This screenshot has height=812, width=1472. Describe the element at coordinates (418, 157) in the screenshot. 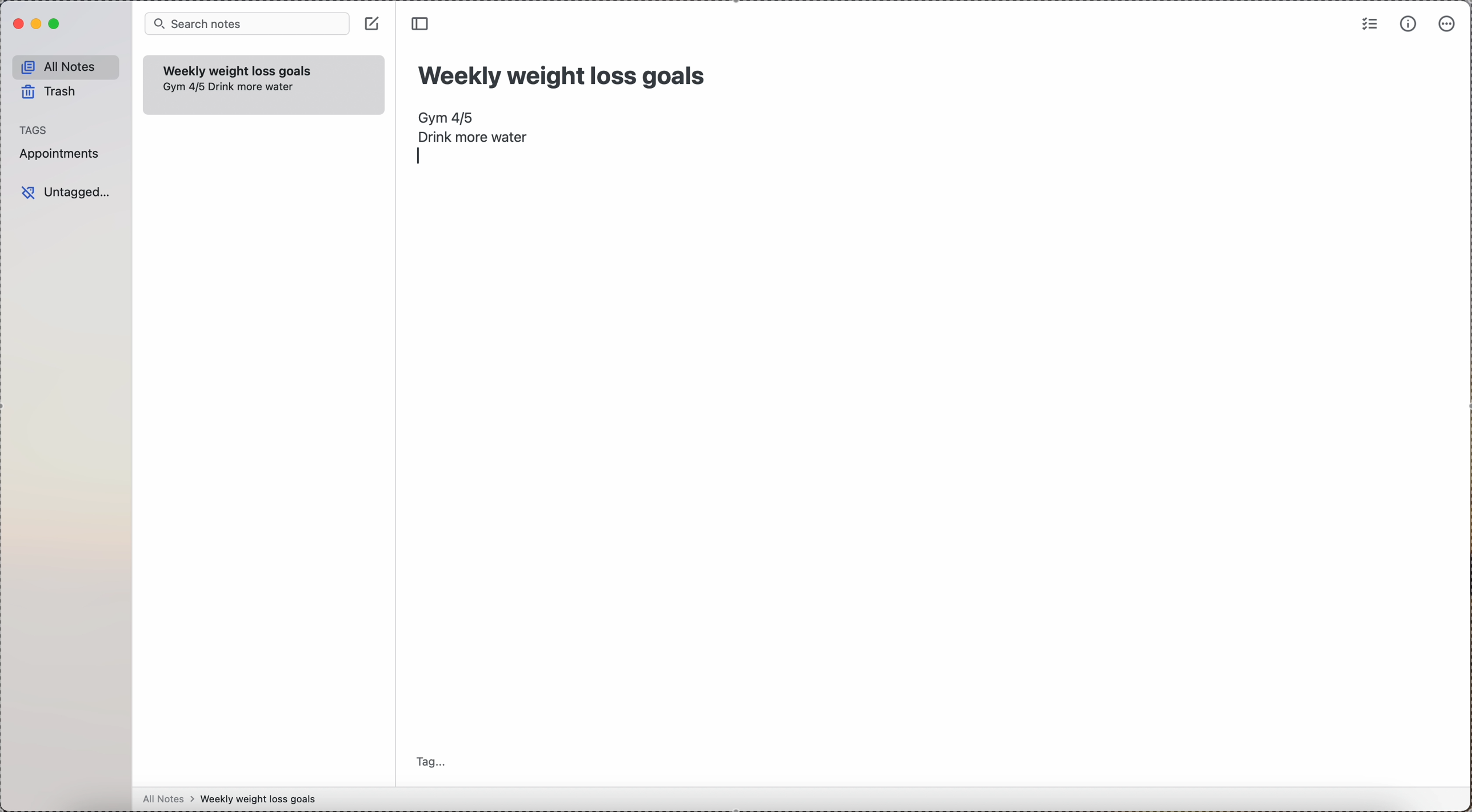

I see `enter` at that location.